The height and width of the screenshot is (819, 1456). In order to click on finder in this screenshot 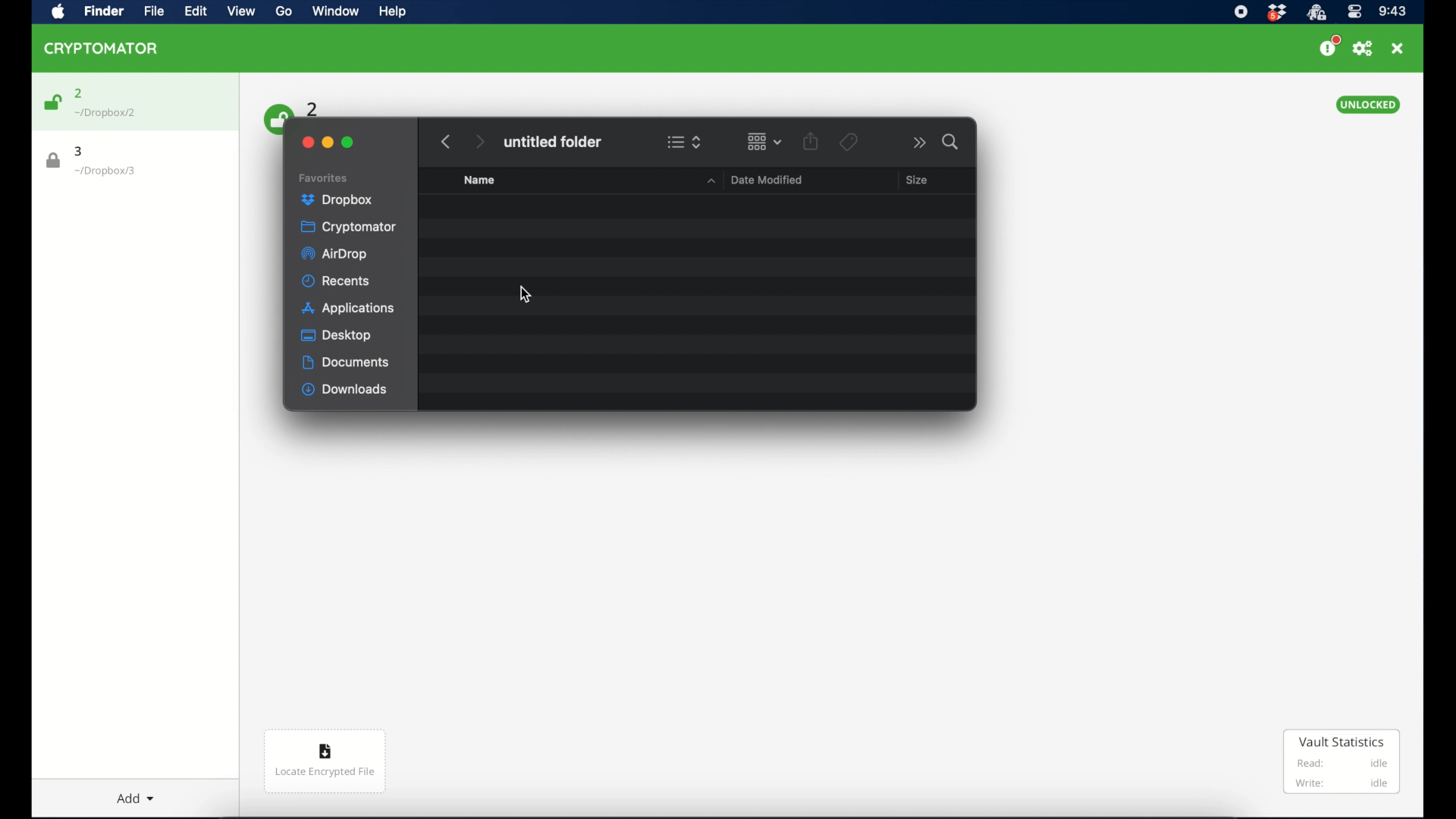, I will do `click(102, 11)`.